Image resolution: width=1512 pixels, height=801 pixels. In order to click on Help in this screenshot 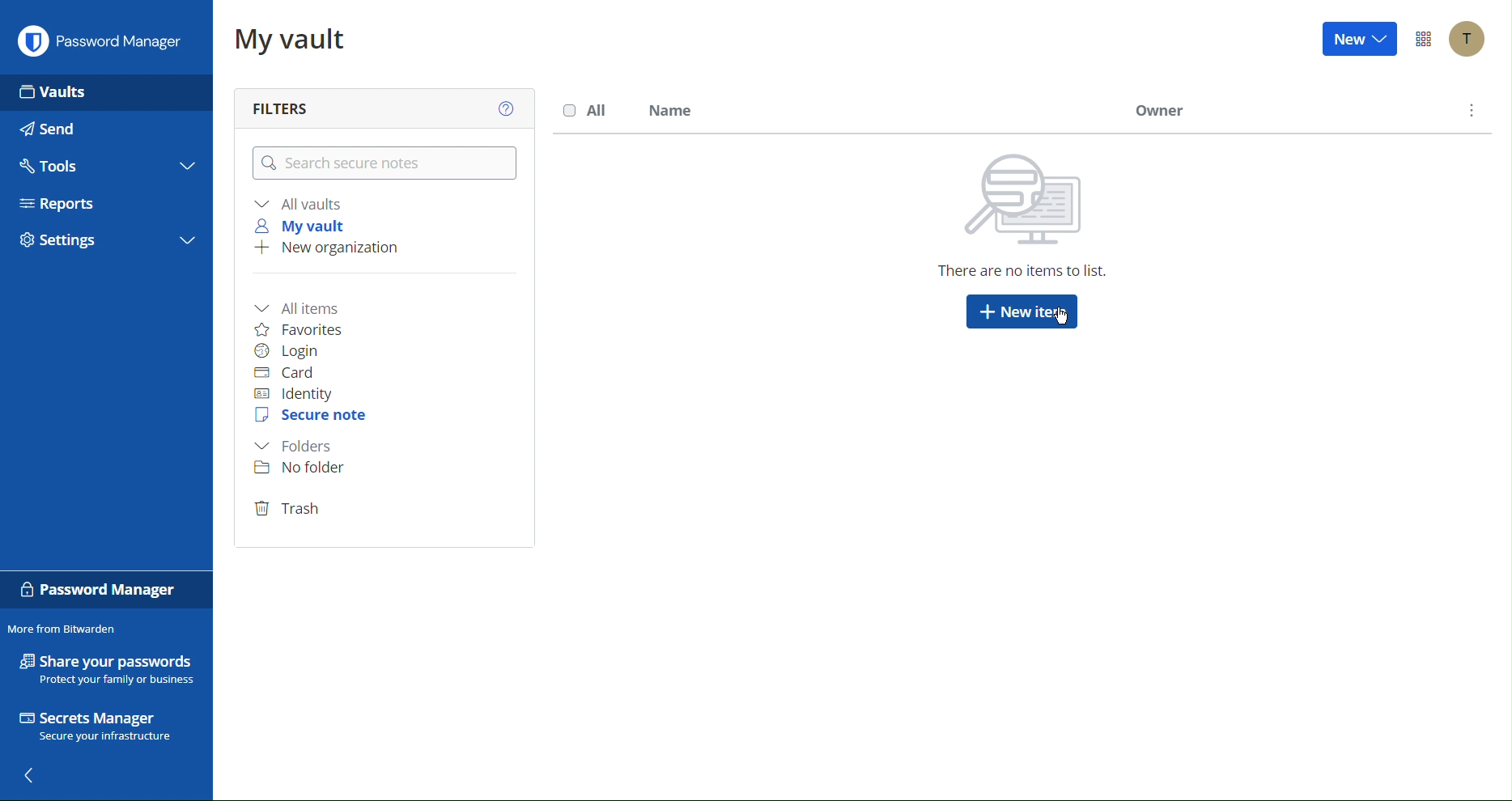, I will do `click(507, 108)`.